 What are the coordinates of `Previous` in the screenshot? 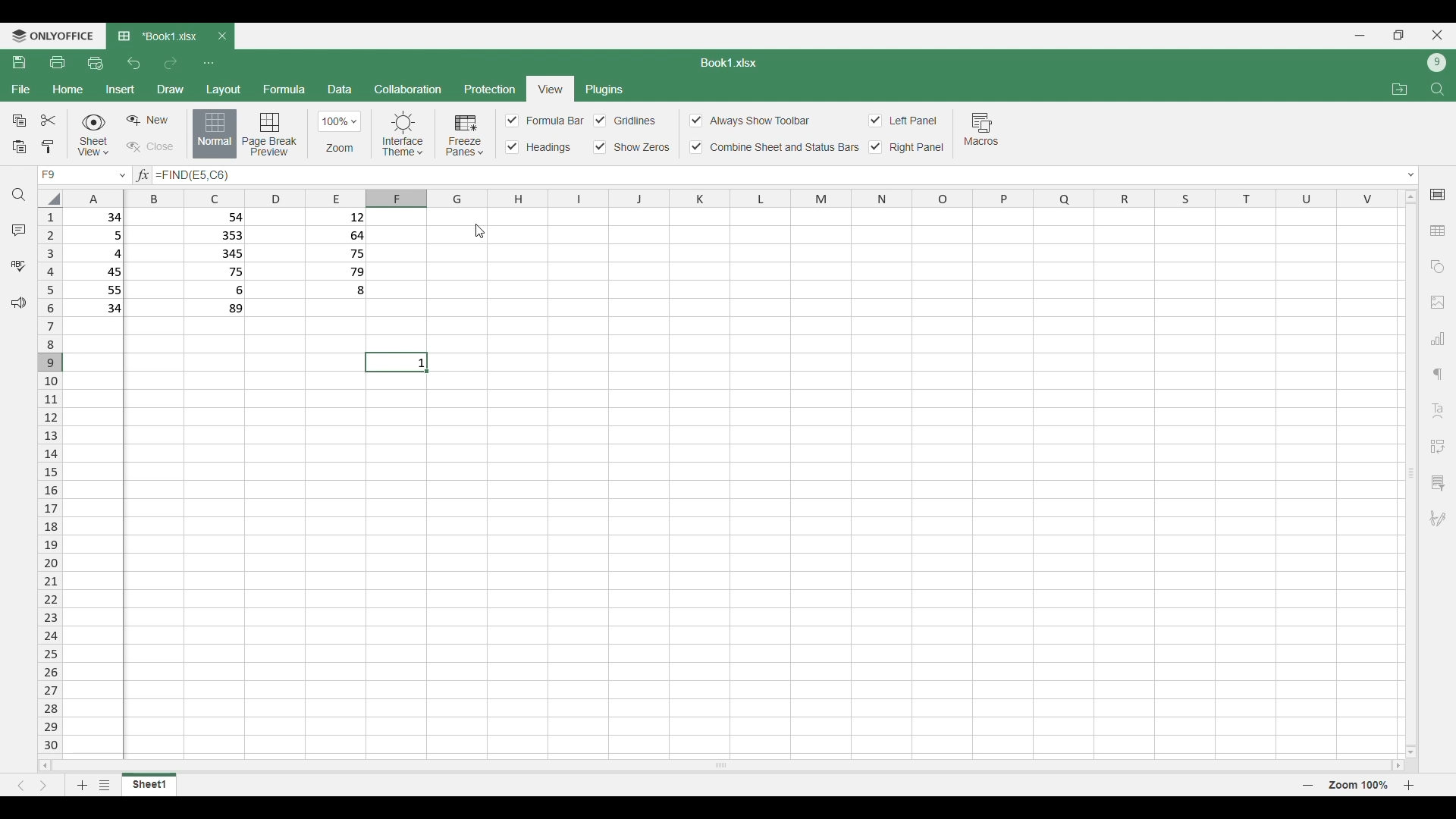 It's located at (21, 786).